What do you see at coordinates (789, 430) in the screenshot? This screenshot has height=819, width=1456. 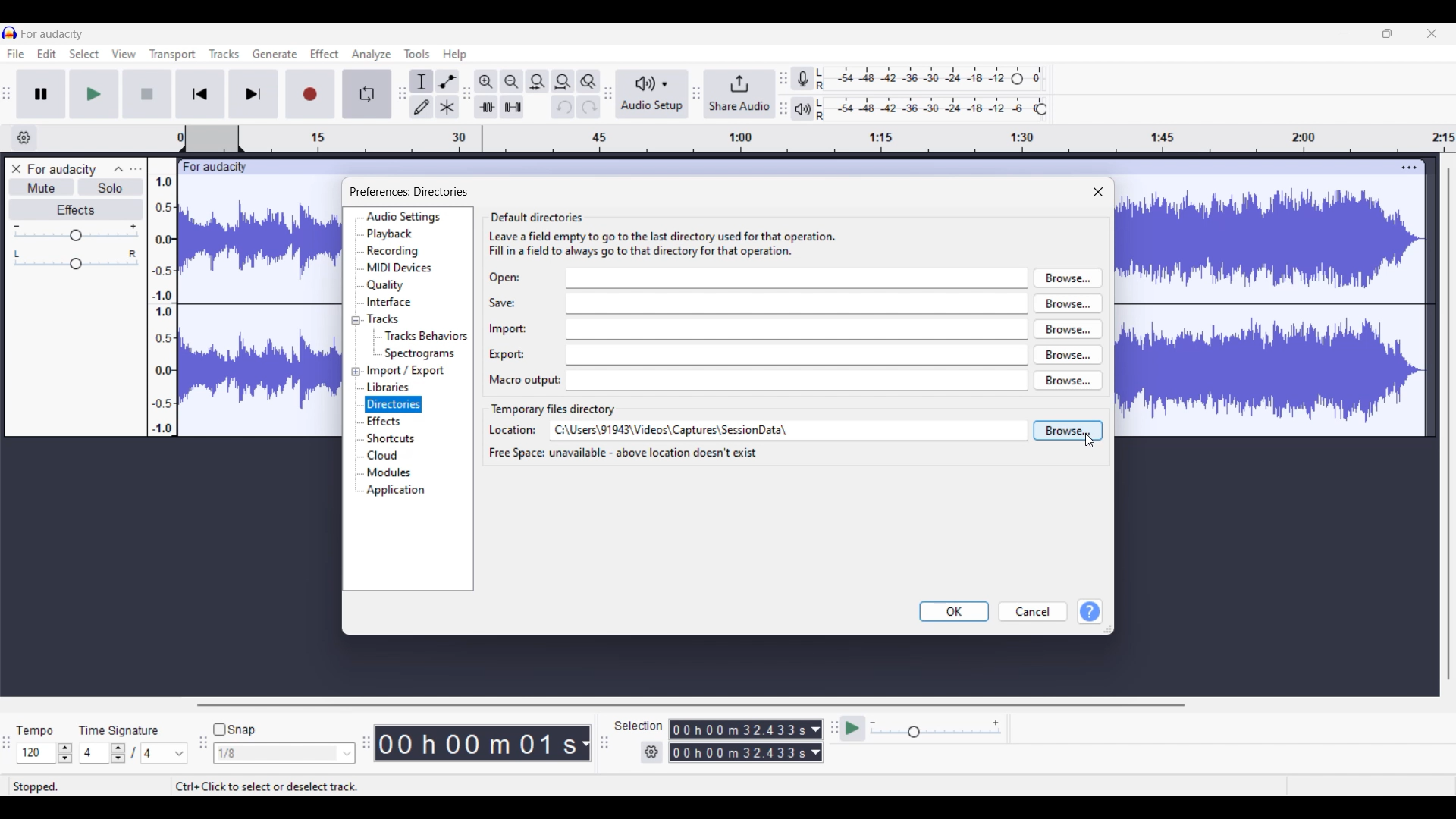 I see `Text box` at bounding box center [789, 430].